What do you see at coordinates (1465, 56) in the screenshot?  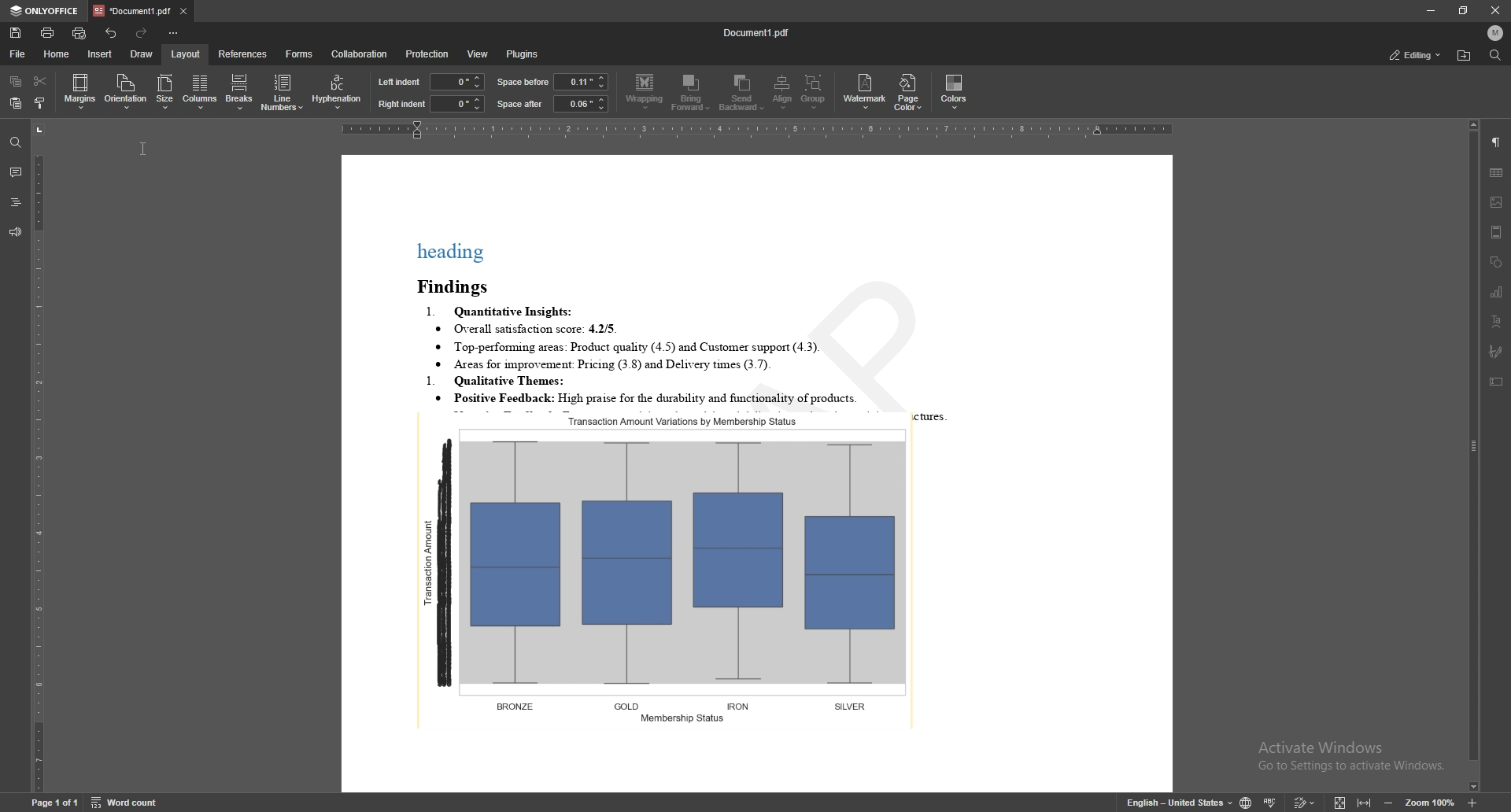 I see `locate file` at bounding box center [1465, 56].